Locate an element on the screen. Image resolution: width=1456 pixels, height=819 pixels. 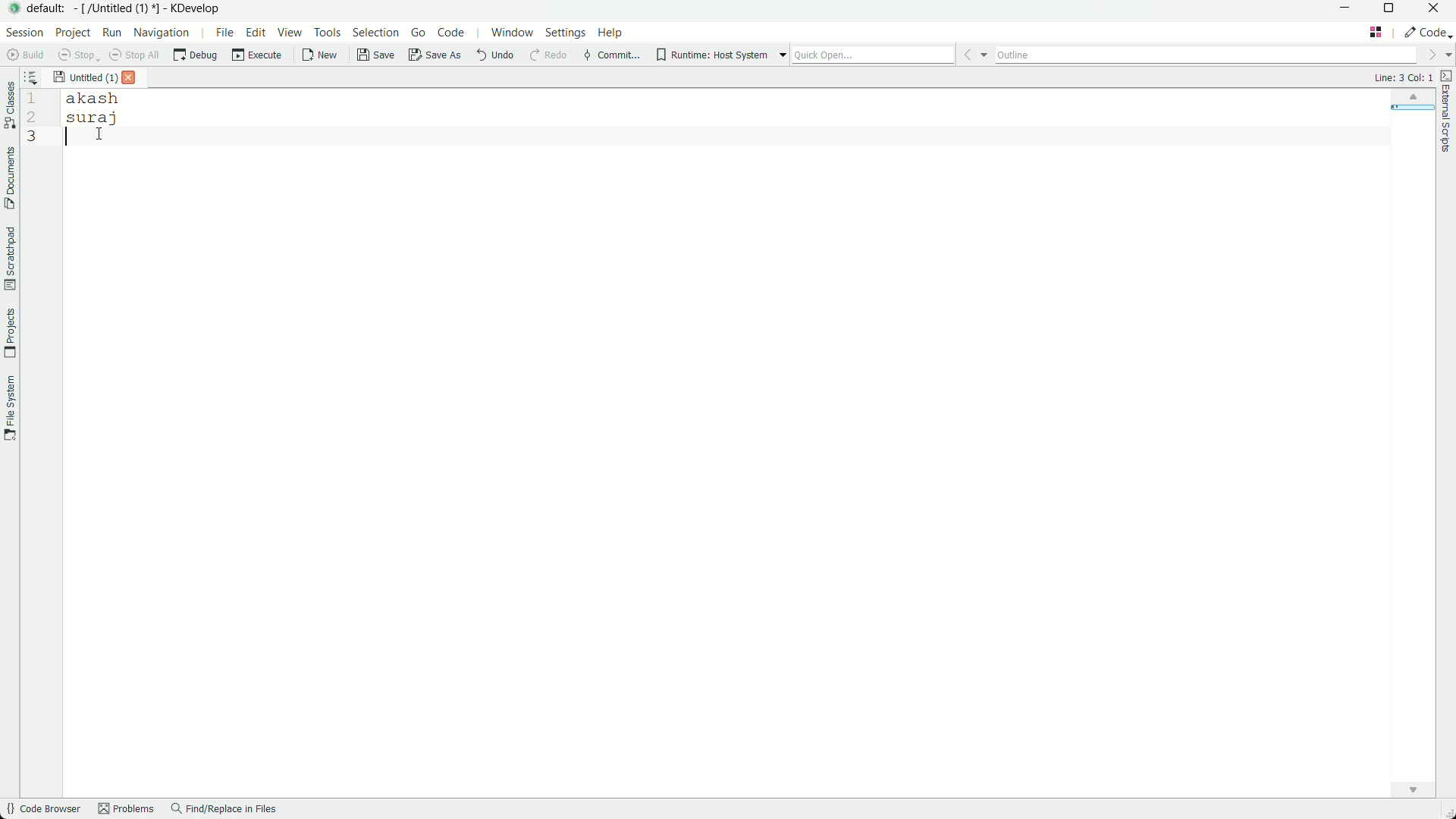
change layout is located at coordinates (1377, 32).